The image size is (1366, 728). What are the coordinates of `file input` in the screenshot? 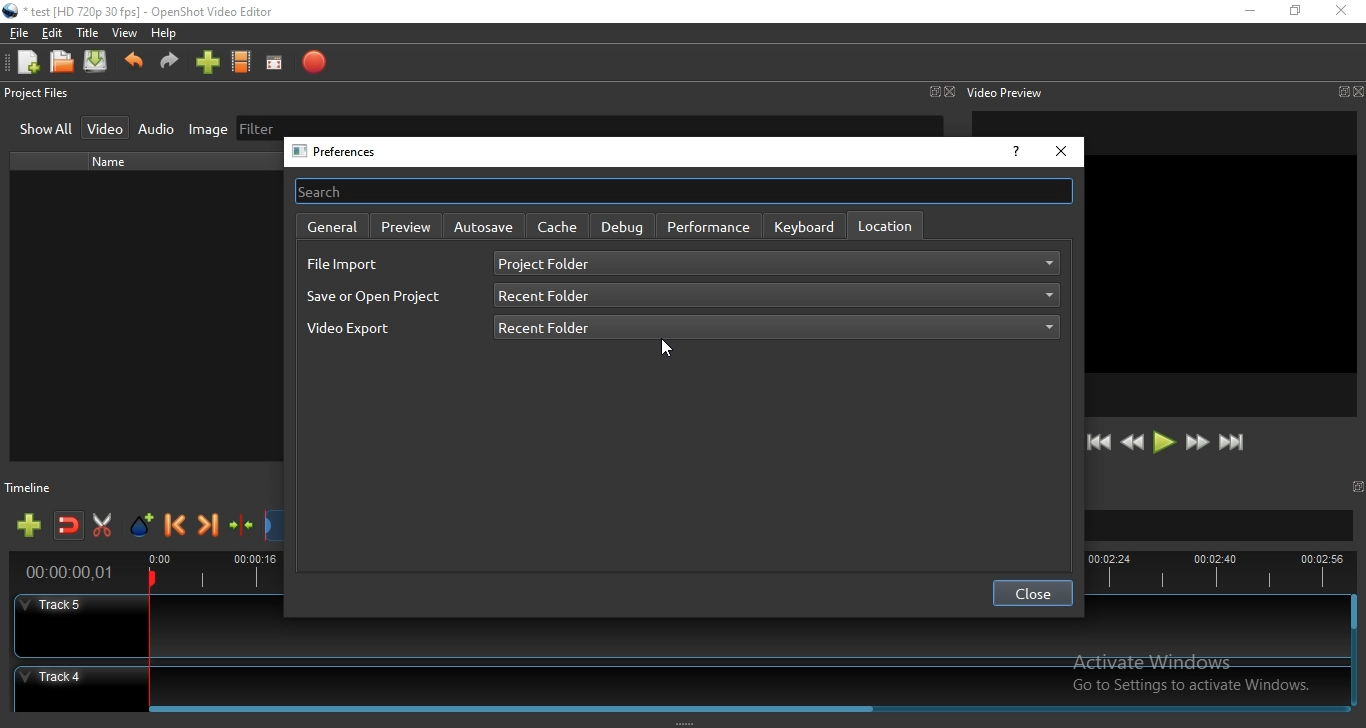 It's located at (343, 265).